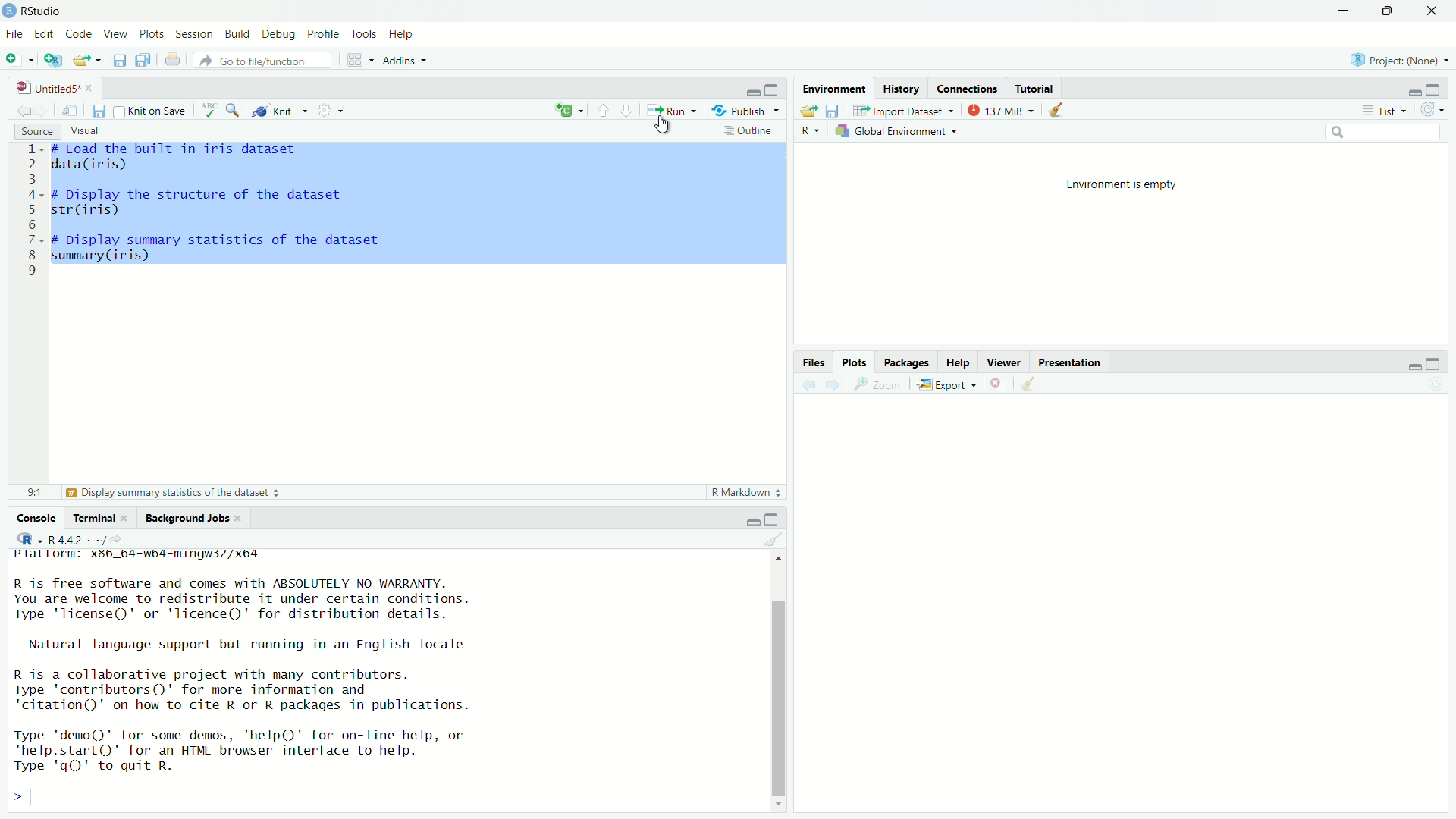 This screenshot has height=819, width=1456. What do you see at coordinates (234, 110) in the screenshot?
I see `Find/Replace` at bounding box center [234, 110].